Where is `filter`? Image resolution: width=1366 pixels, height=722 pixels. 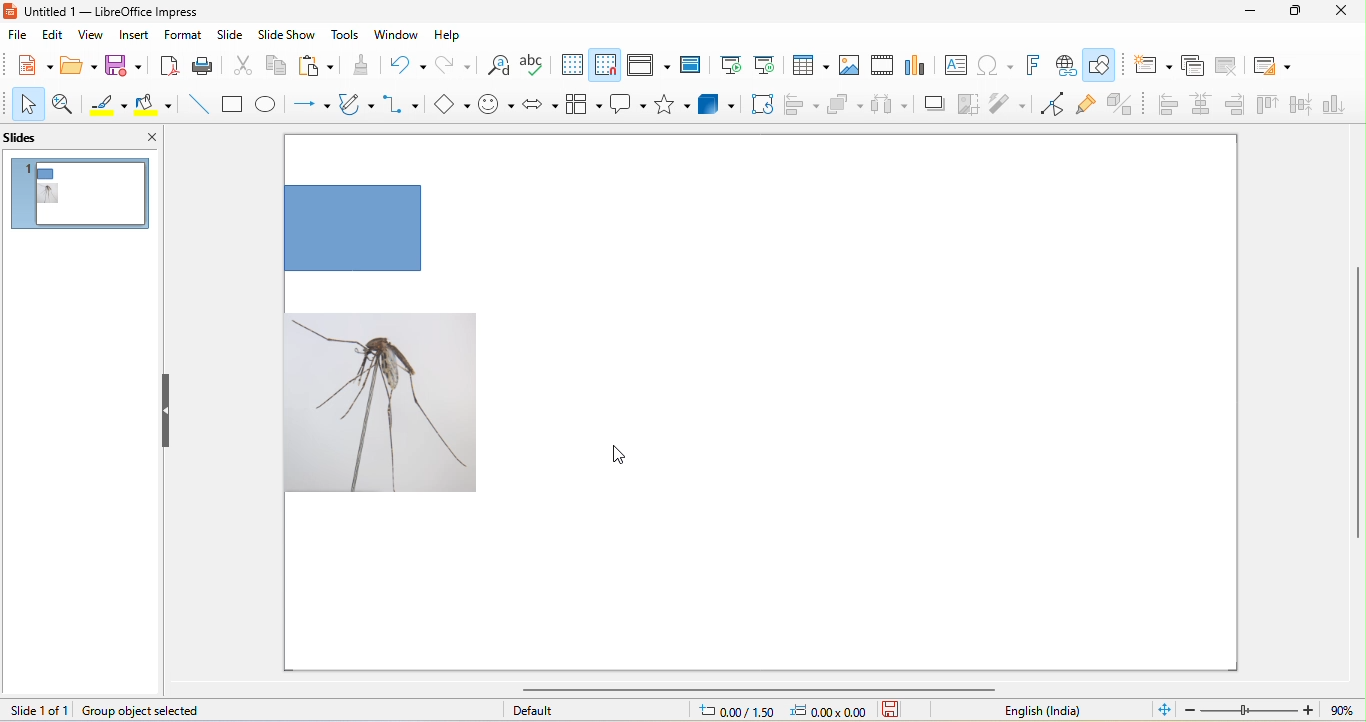 filter is located at coordinates (1005, 106).